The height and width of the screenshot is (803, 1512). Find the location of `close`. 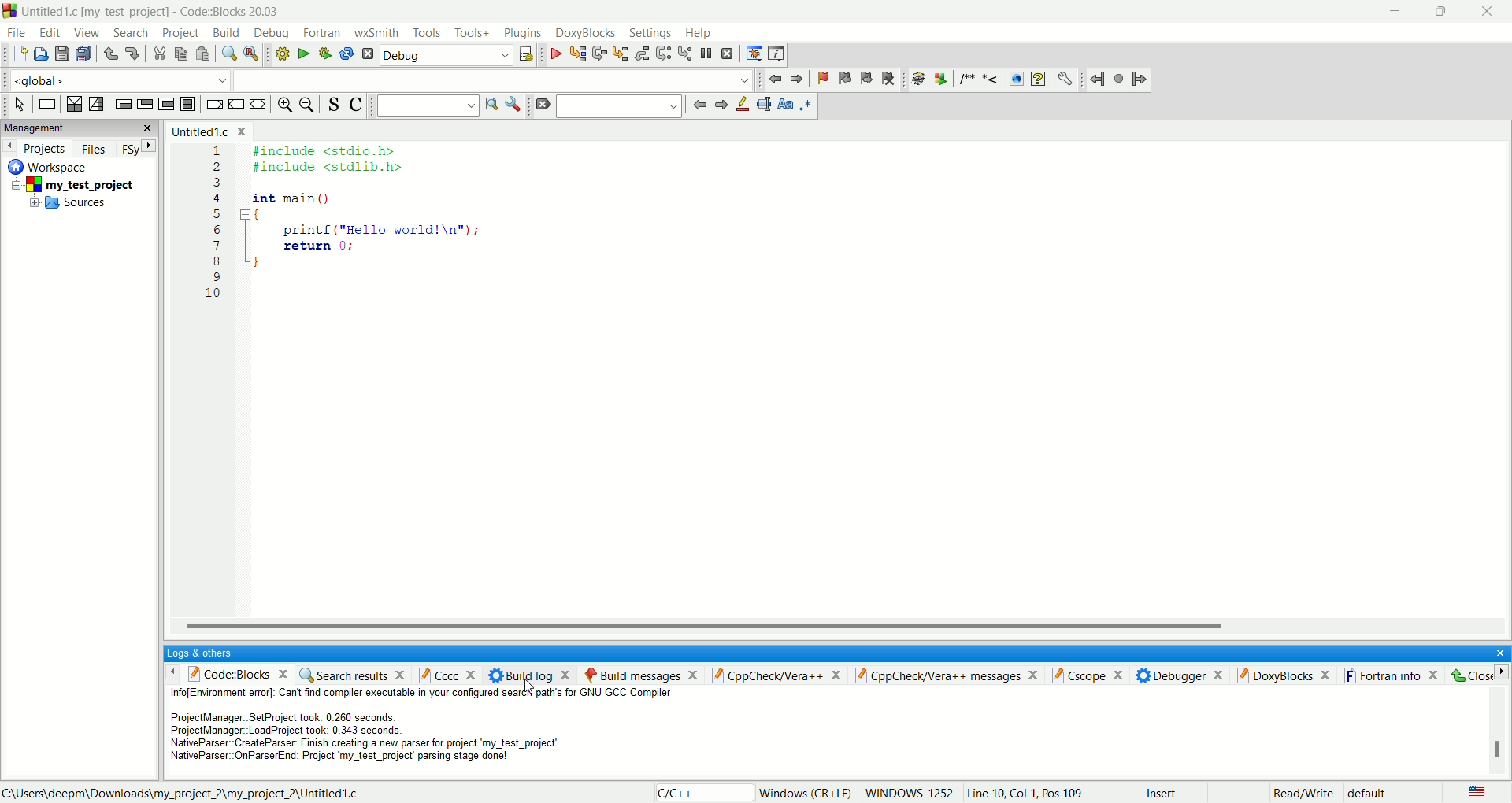

close is located at coordinates (1476, 675).